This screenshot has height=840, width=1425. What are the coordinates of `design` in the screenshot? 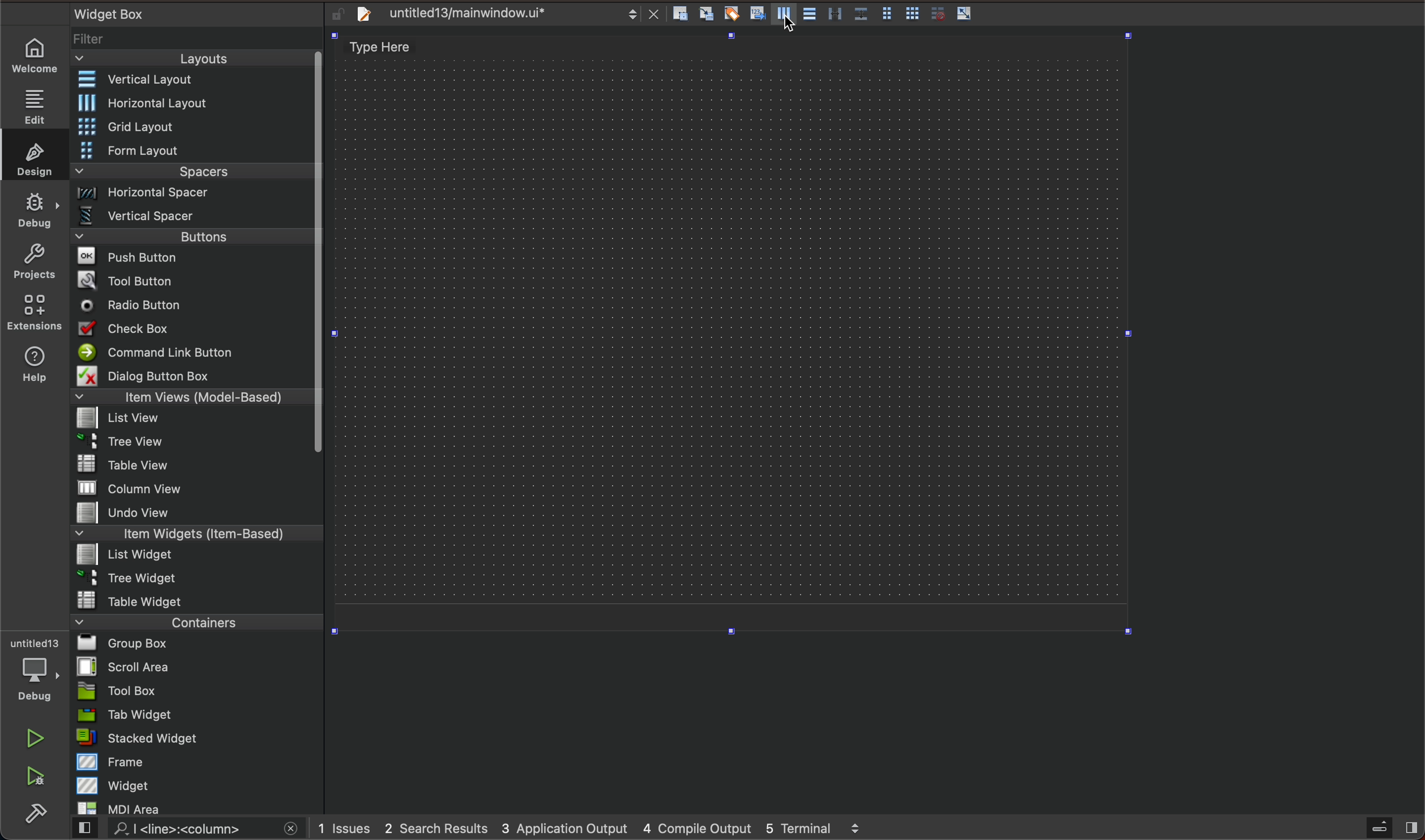 It's located at (33, 155).